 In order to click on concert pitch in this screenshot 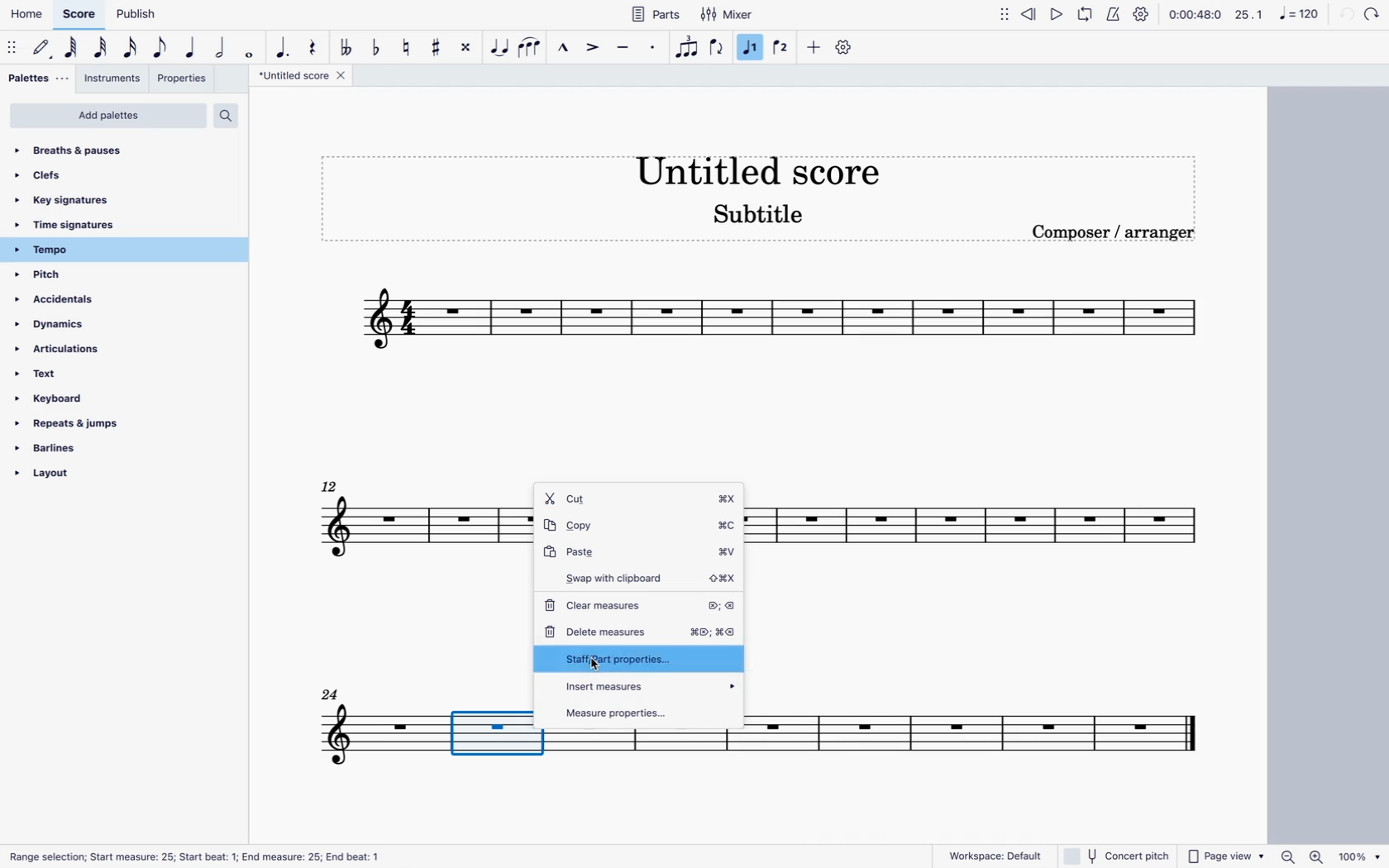, I will do `click(1119, 856)`.